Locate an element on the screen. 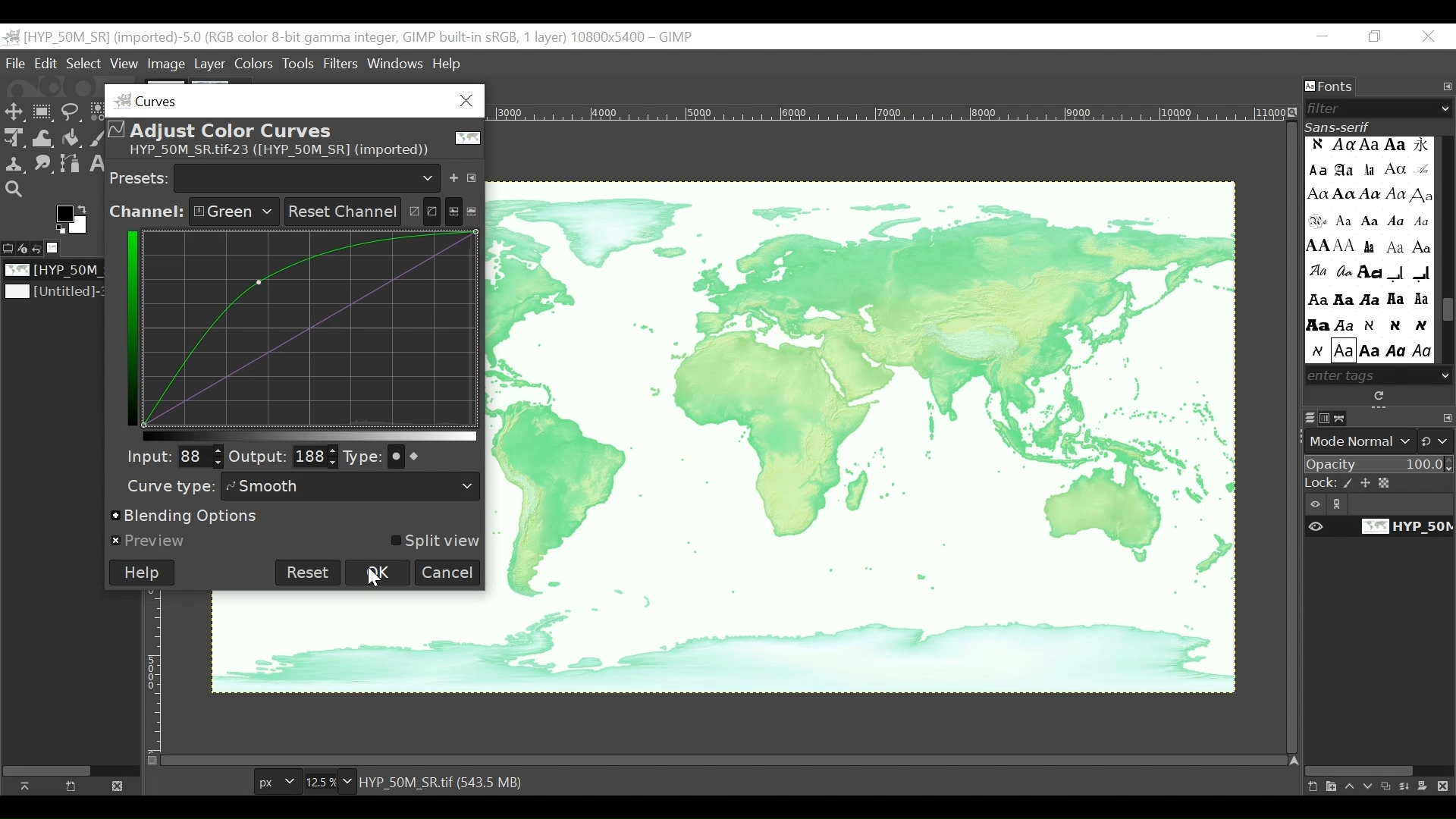  Cursor is located at coordinates (372, 579).